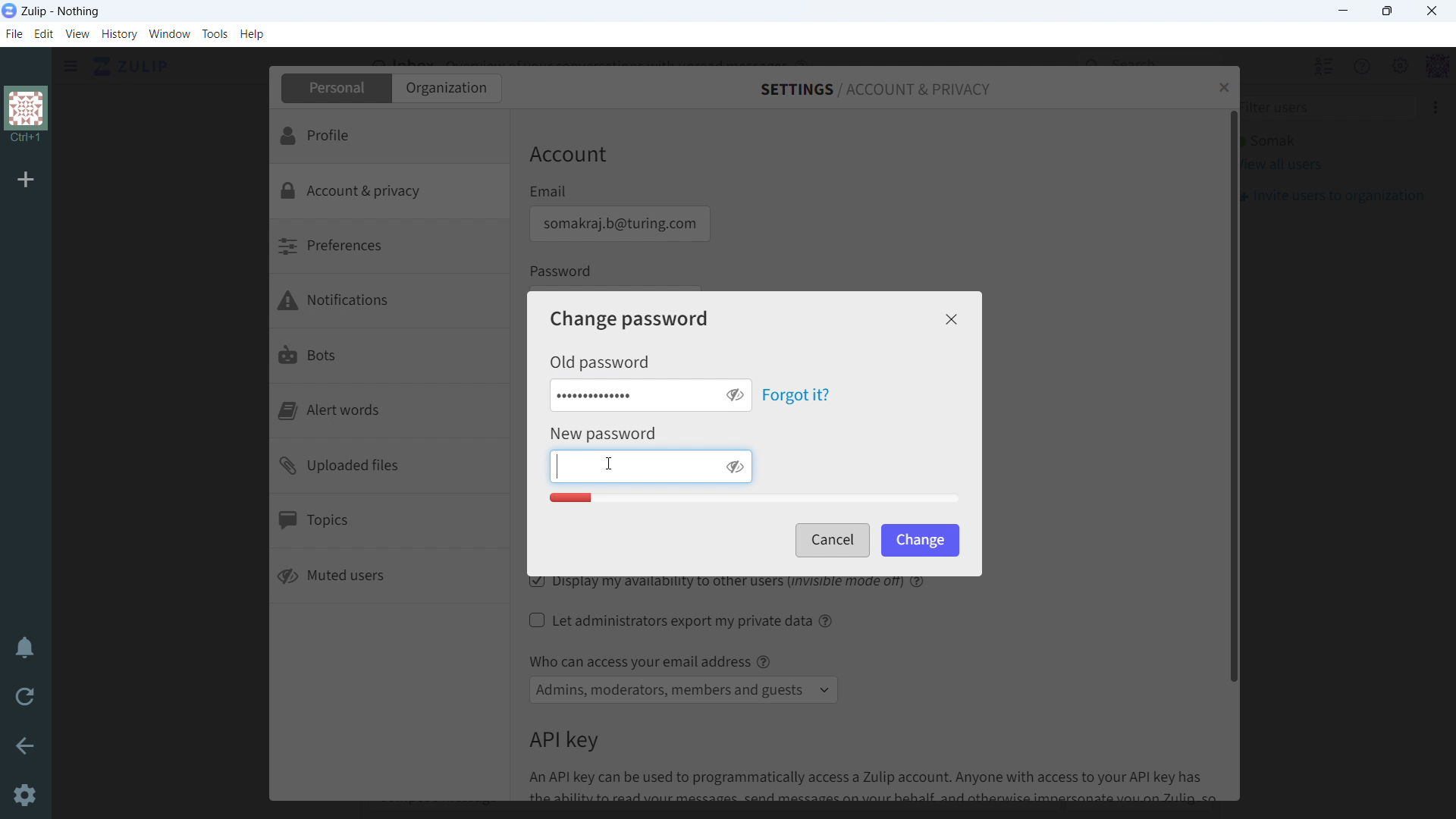 The image size is (1456, 819). What do you see at coordinates (388, 136) in the screenshot?
I see `profile` at bounding box center [388, 136].